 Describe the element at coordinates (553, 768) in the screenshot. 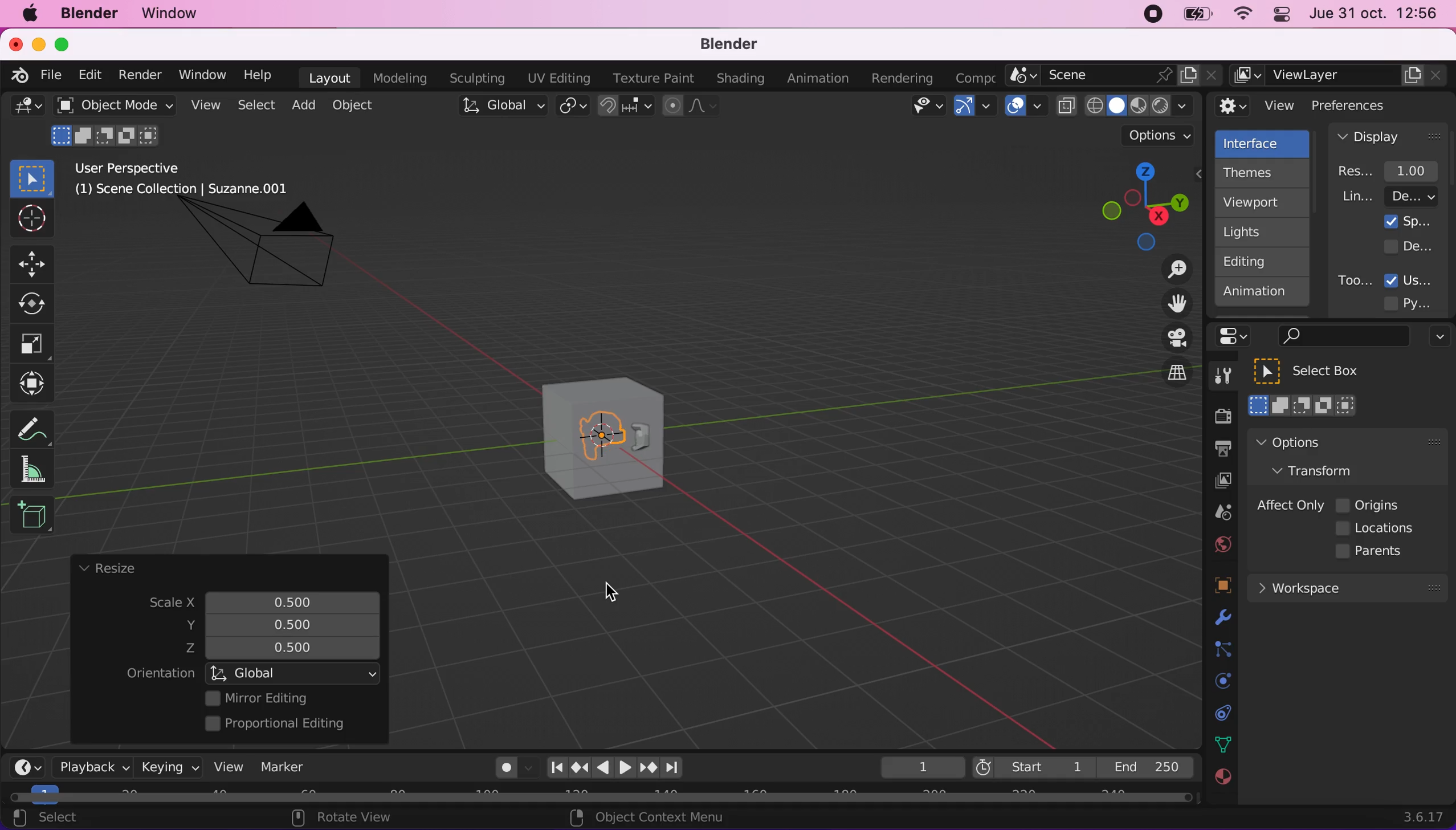

I see `jump to end point` at that location.